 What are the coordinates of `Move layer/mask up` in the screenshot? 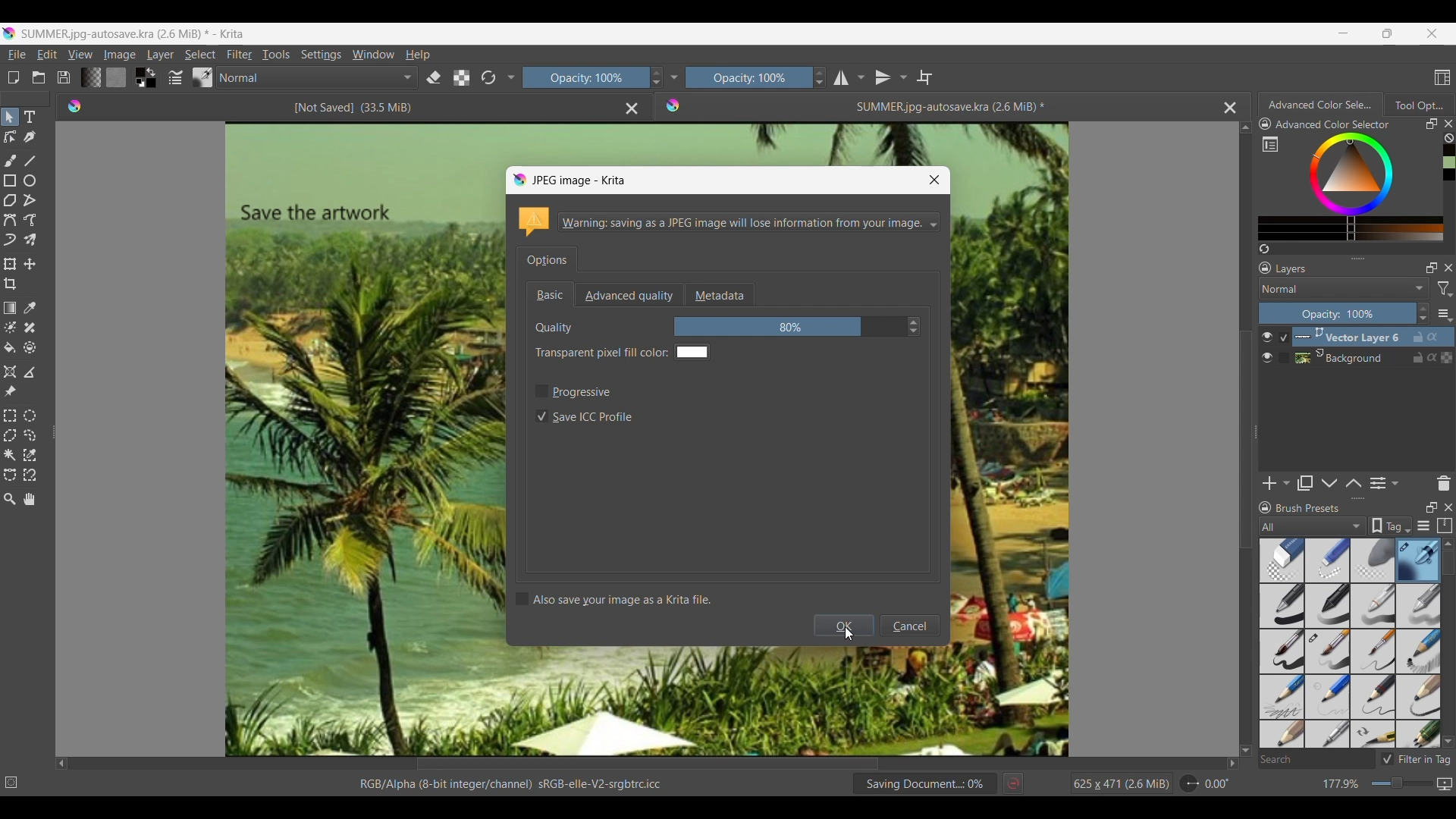 It's located at (1353, 483).